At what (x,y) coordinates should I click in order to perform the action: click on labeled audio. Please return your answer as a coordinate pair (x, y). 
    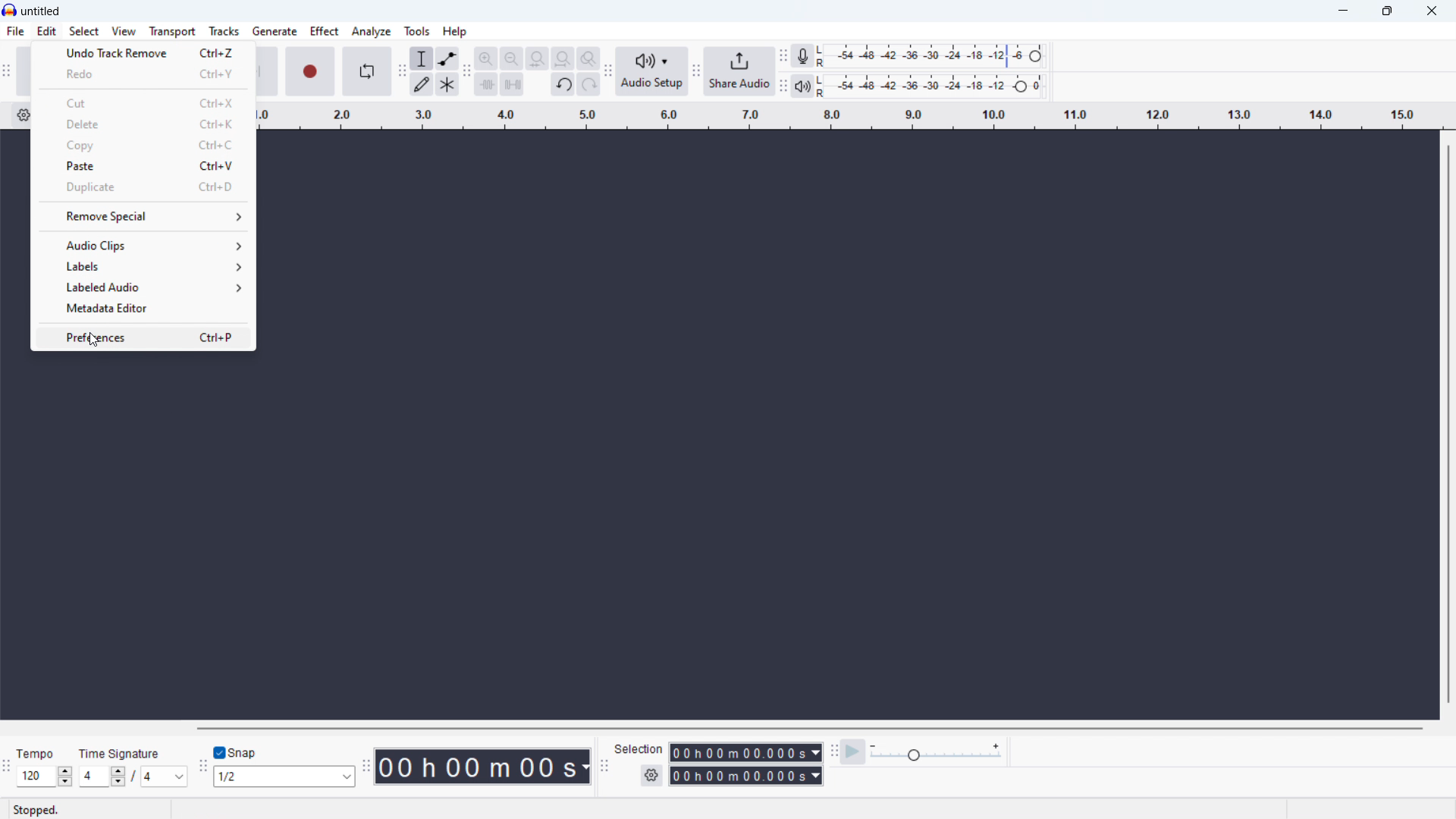
    Looking at the image, I should click on (144, 287).